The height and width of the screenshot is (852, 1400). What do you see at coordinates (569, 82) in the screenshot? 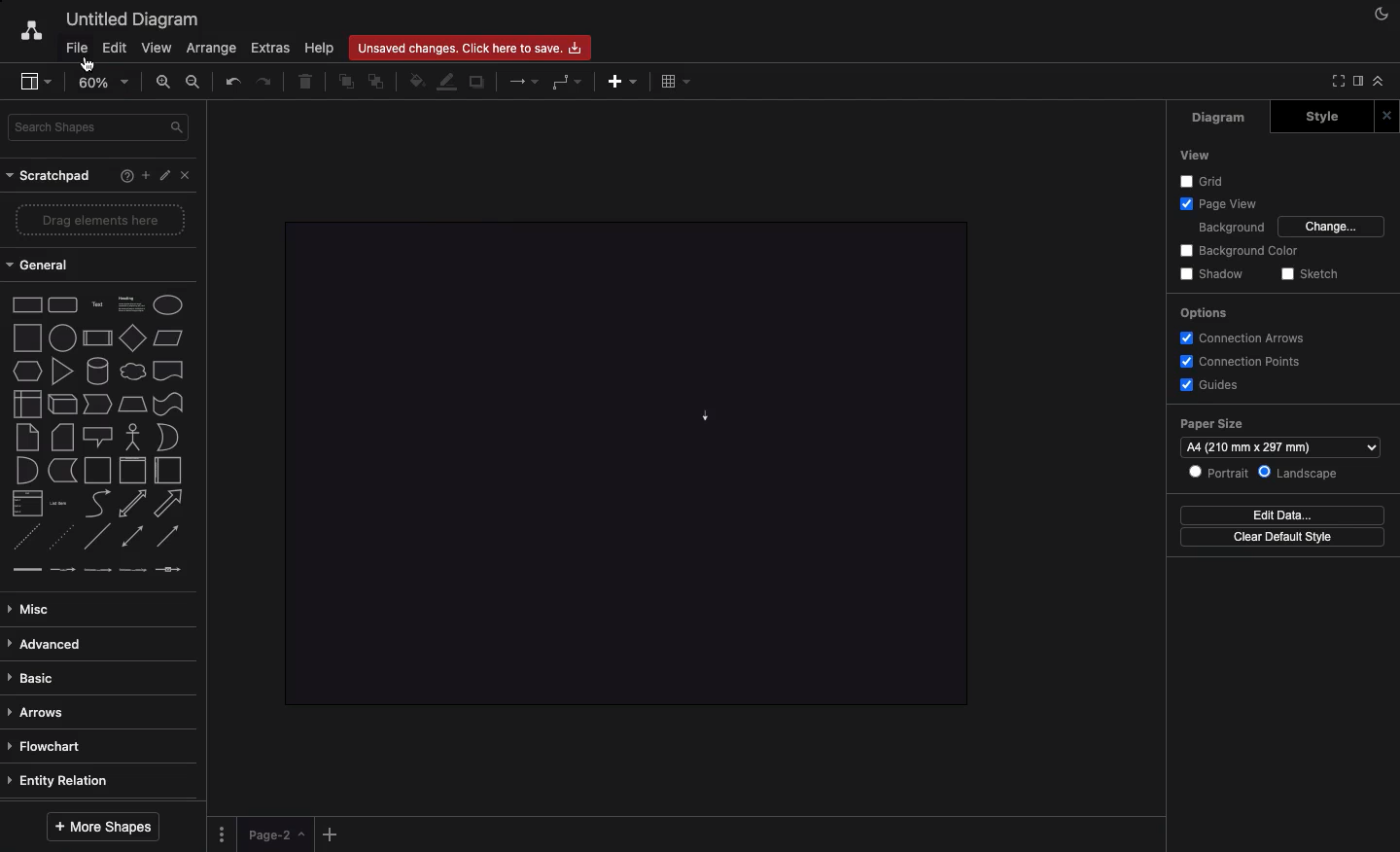
I see `Waypoints` at bounding box center [569, 82].